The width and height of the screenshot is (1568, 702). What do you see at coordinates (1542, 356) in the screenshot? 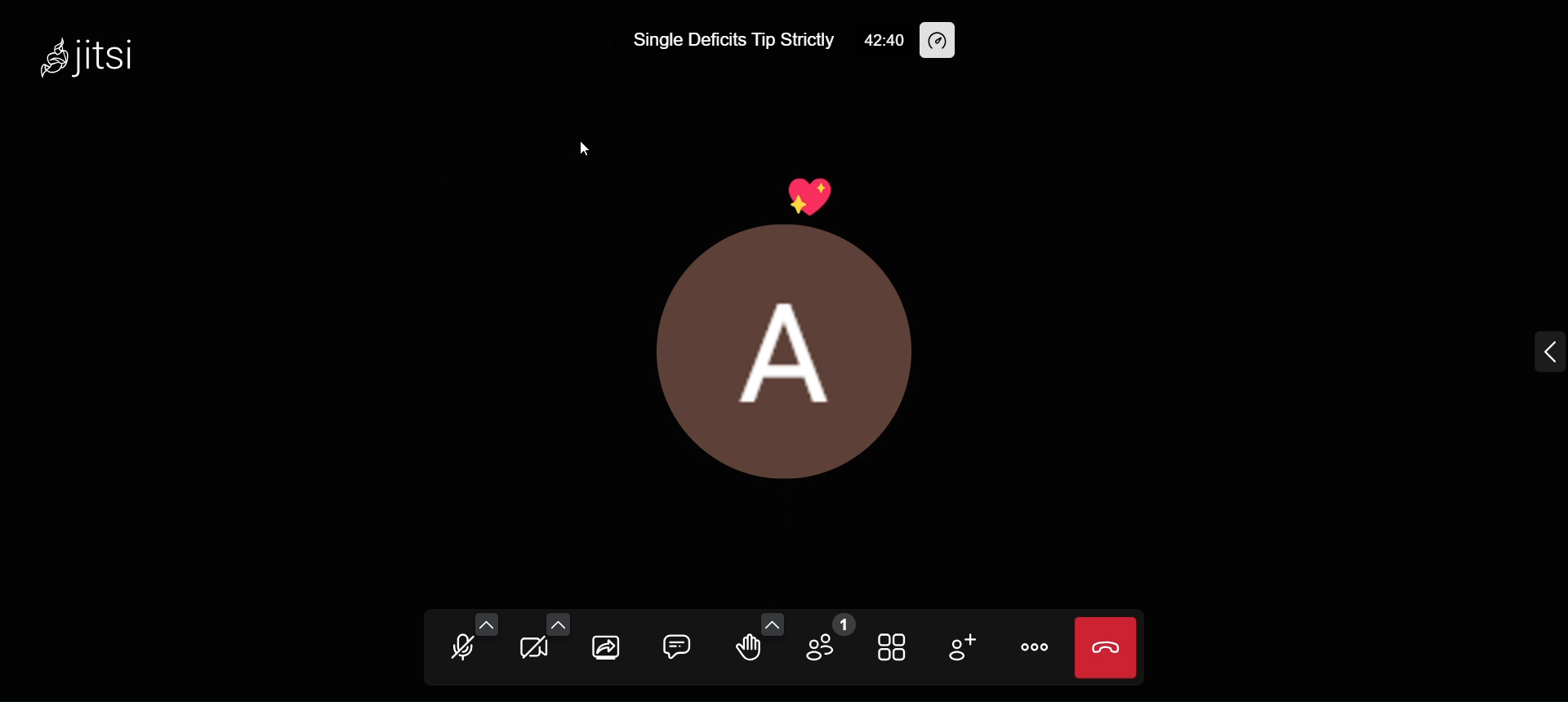
I see `Expand` at bounding box center [1542, 356].